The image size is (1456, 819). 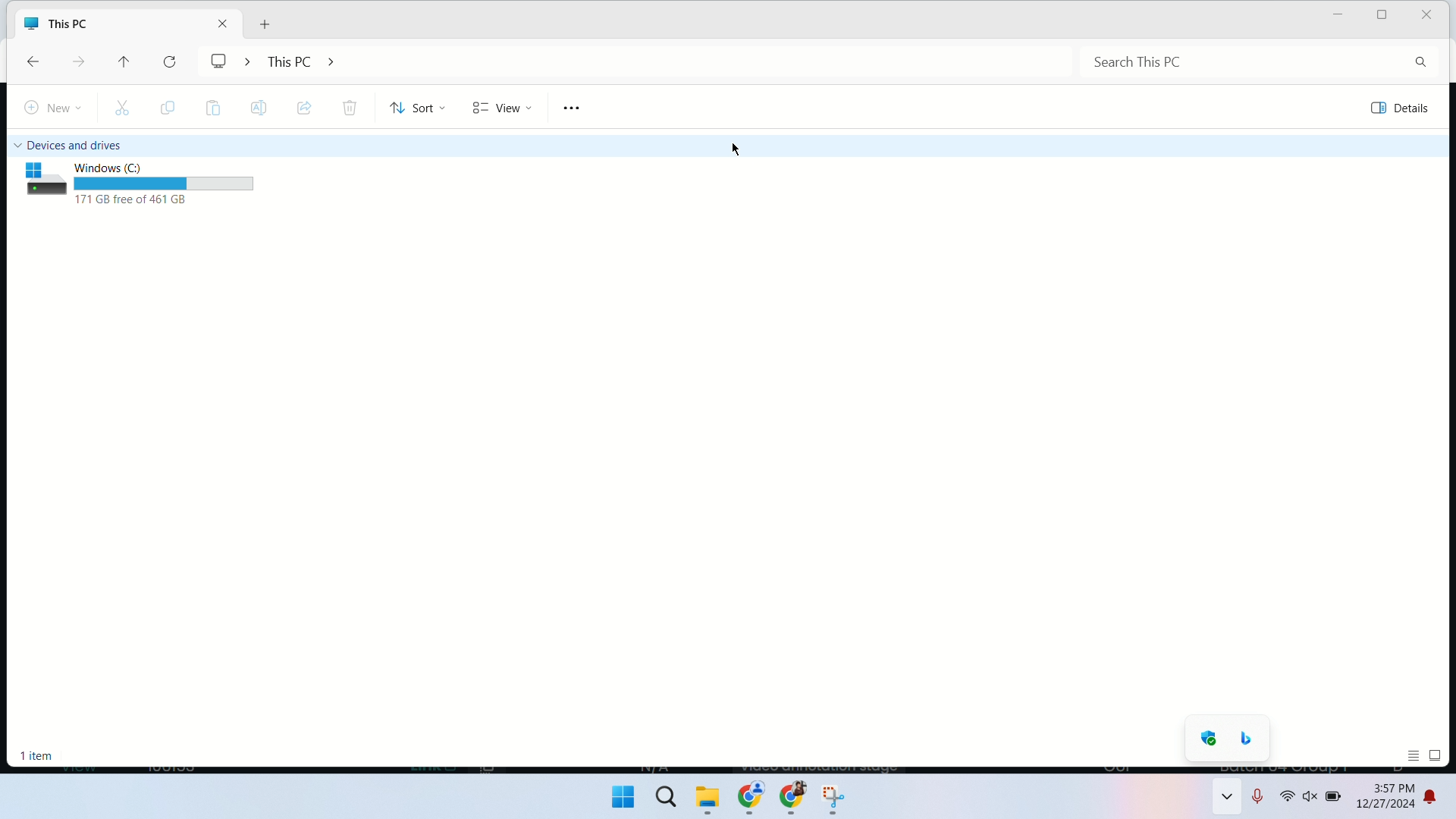 I want to click on battery, so click(x=1335, y=802).